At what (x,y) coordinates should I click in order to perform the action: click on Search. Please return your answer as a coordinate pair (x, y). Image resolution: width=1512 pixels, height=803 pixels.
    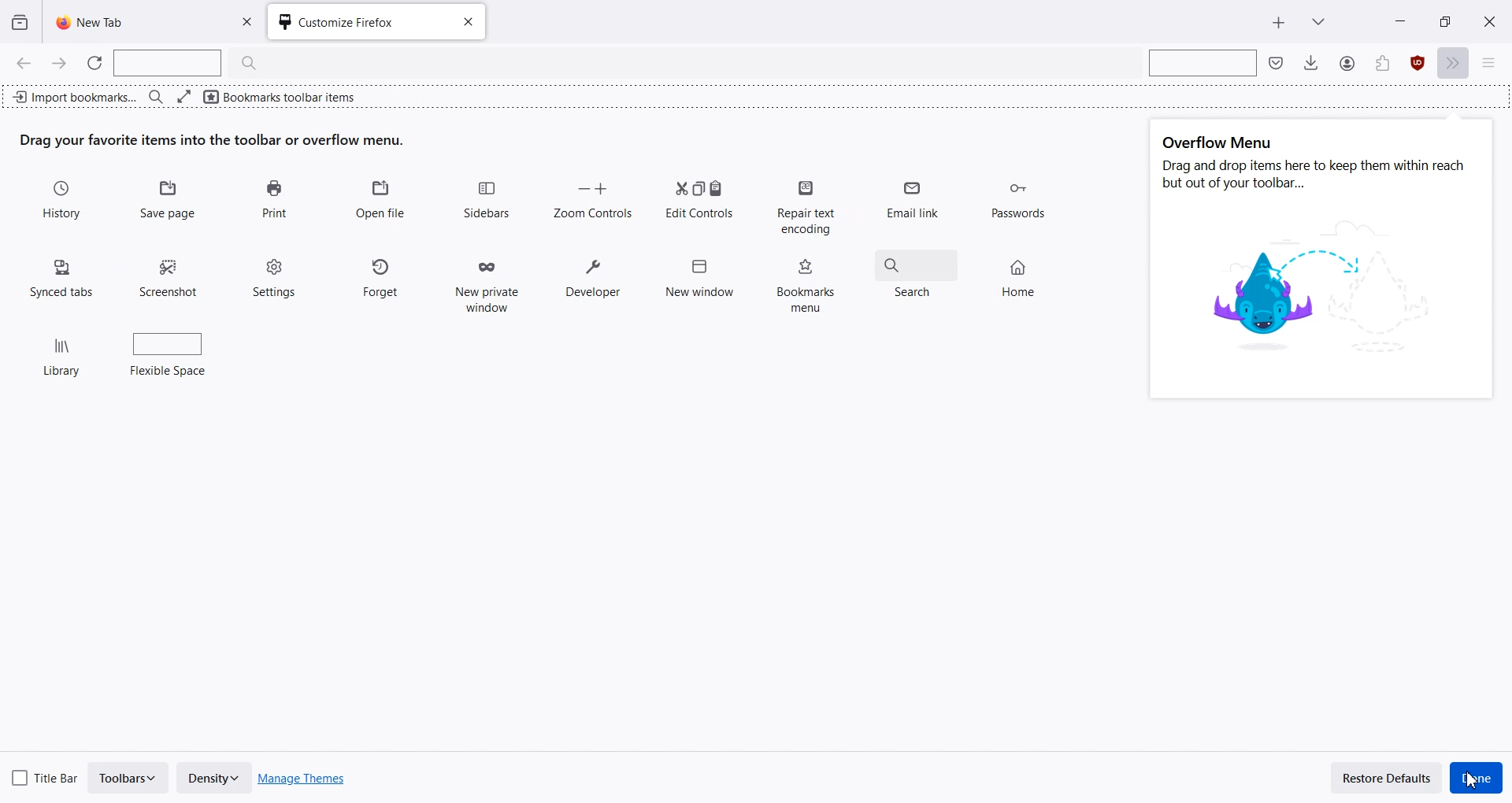
    Looking at the image, I should click on (914, 277).